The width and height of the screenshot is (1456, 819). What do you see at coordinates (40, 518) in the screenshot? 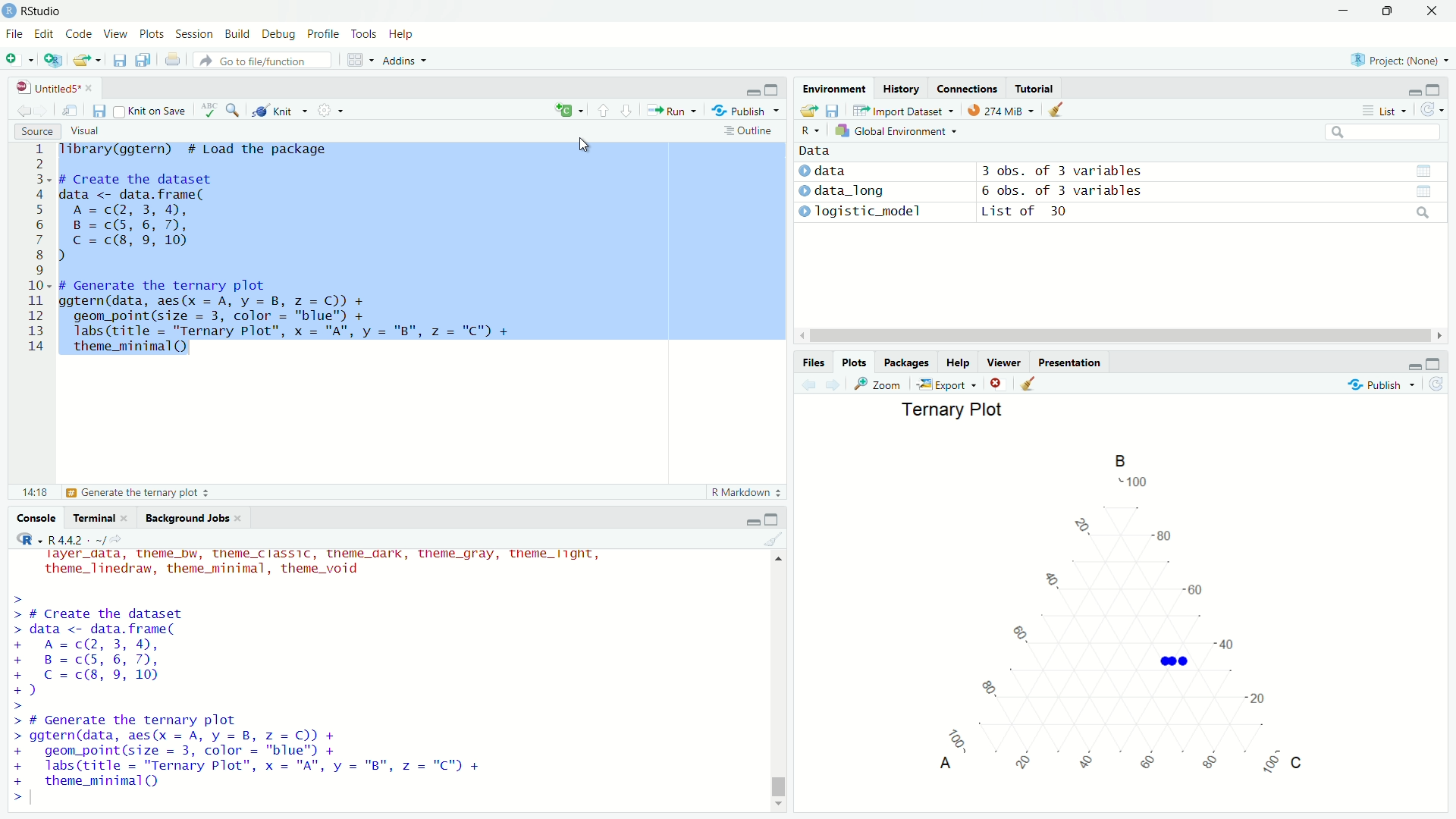
I see `Console` at bounding box center [40, 518].